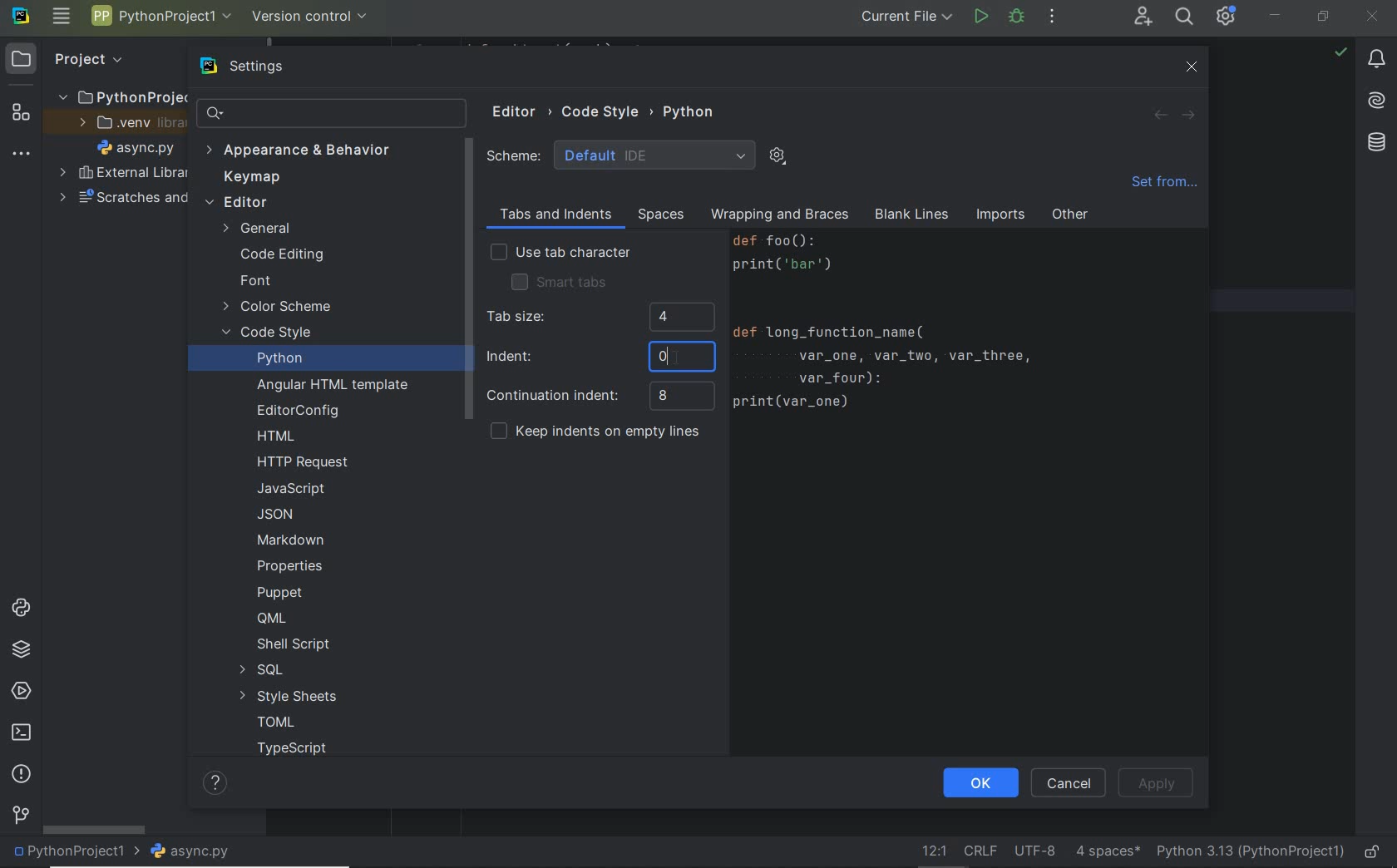 The image size is (1397, 868). Describe the element at coordinates (1374, 145) in the screenshot. I see `database` at that location.